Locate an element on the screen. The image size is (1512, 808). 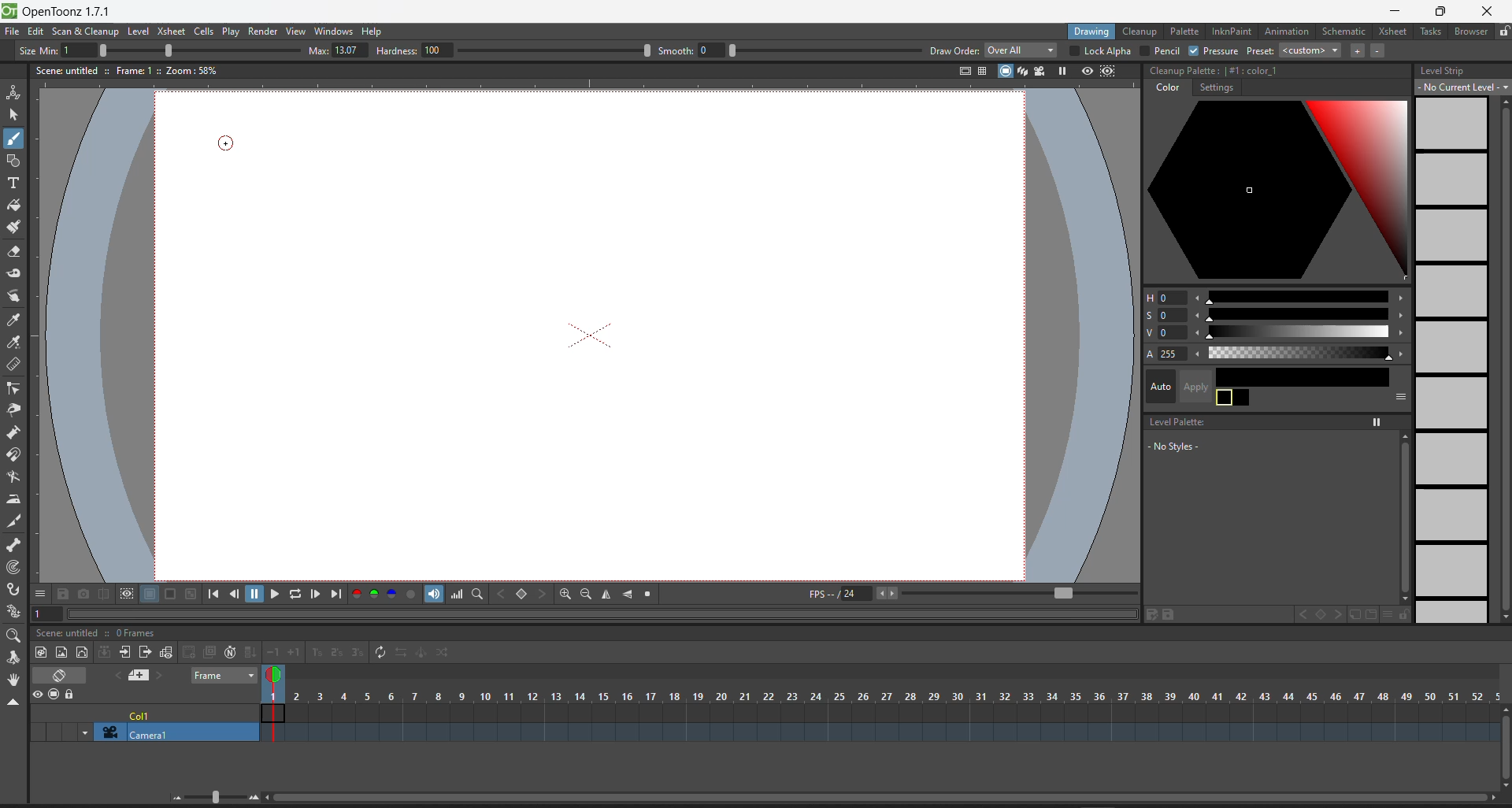
vertical scroll bar is located at coordinates (1503, 745).